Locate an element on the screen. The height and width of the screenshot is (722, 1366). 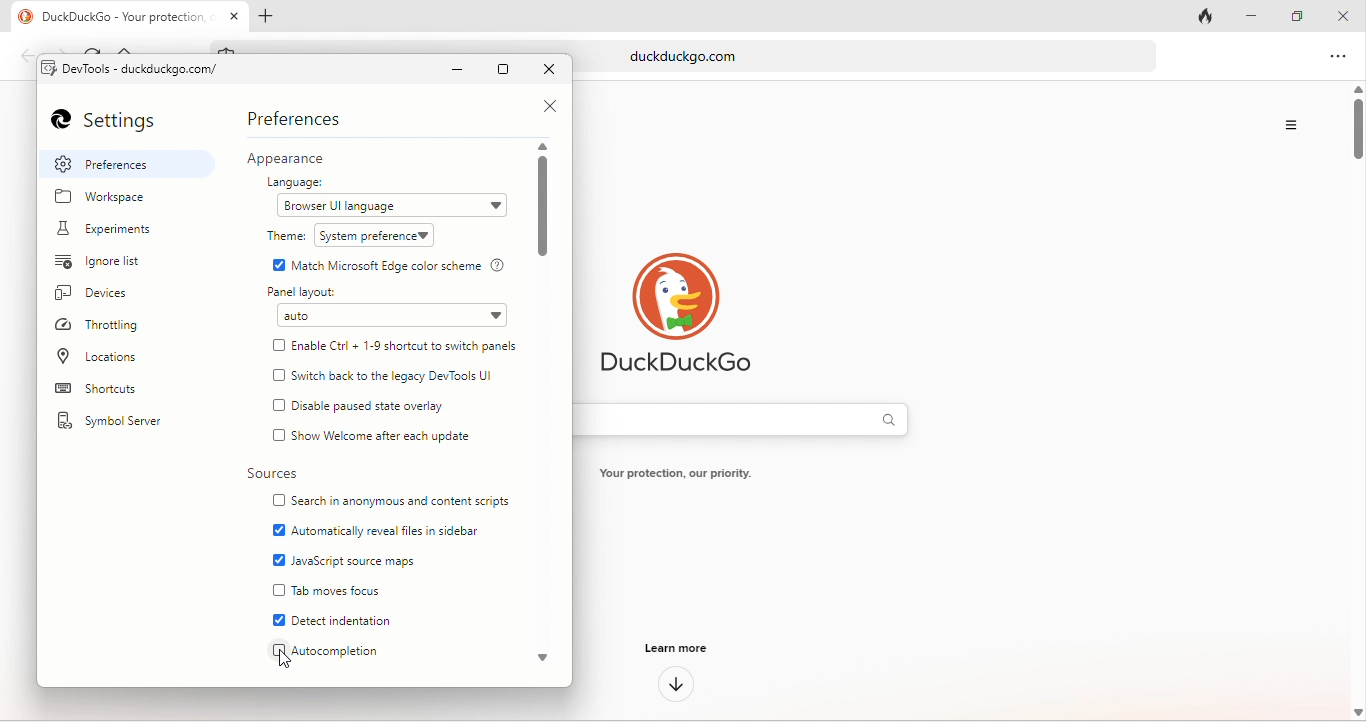
theme is located at coordinates (285, 237).